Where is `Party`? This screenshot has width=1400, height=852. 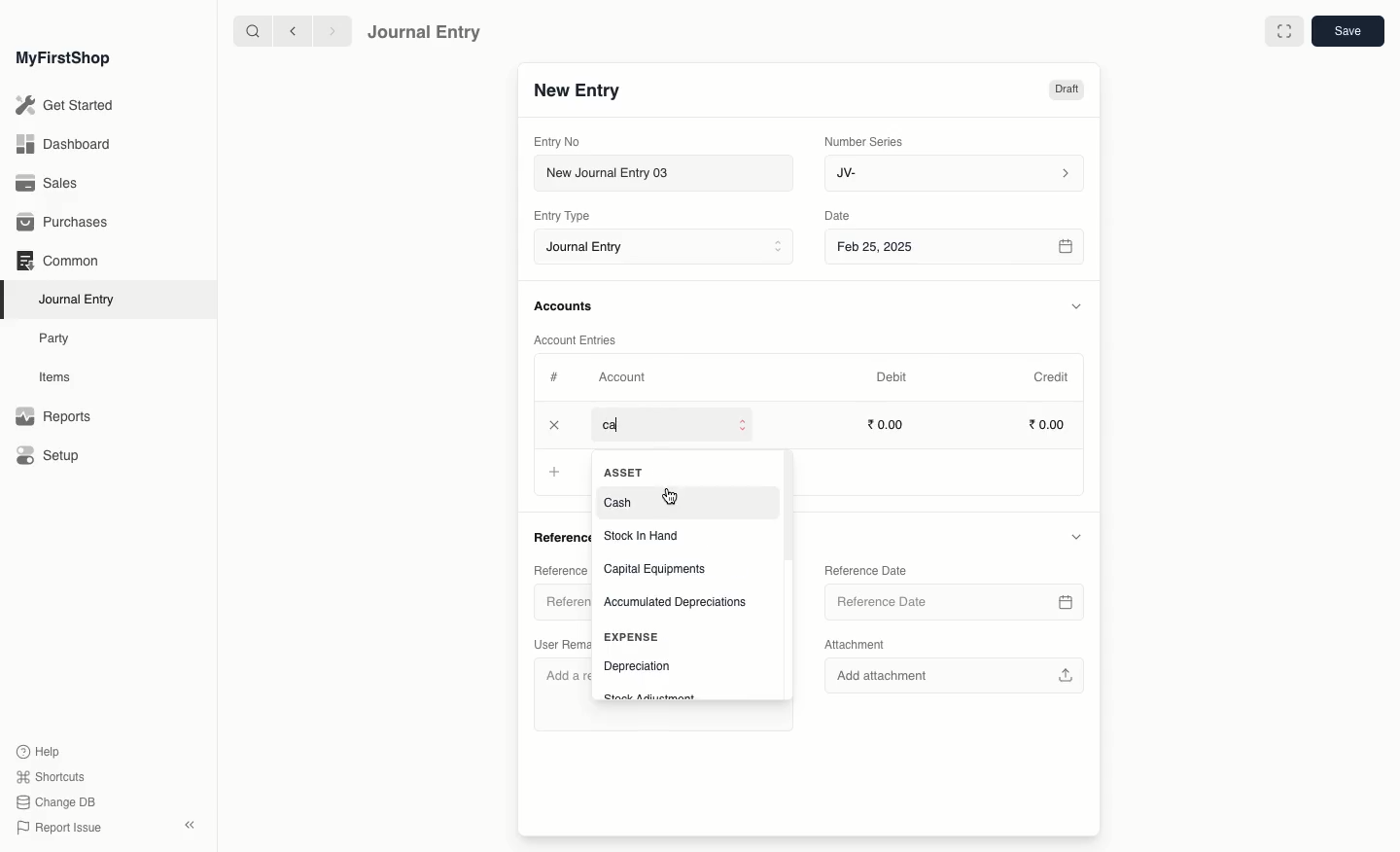 Party is located at coordinates (55, 337).